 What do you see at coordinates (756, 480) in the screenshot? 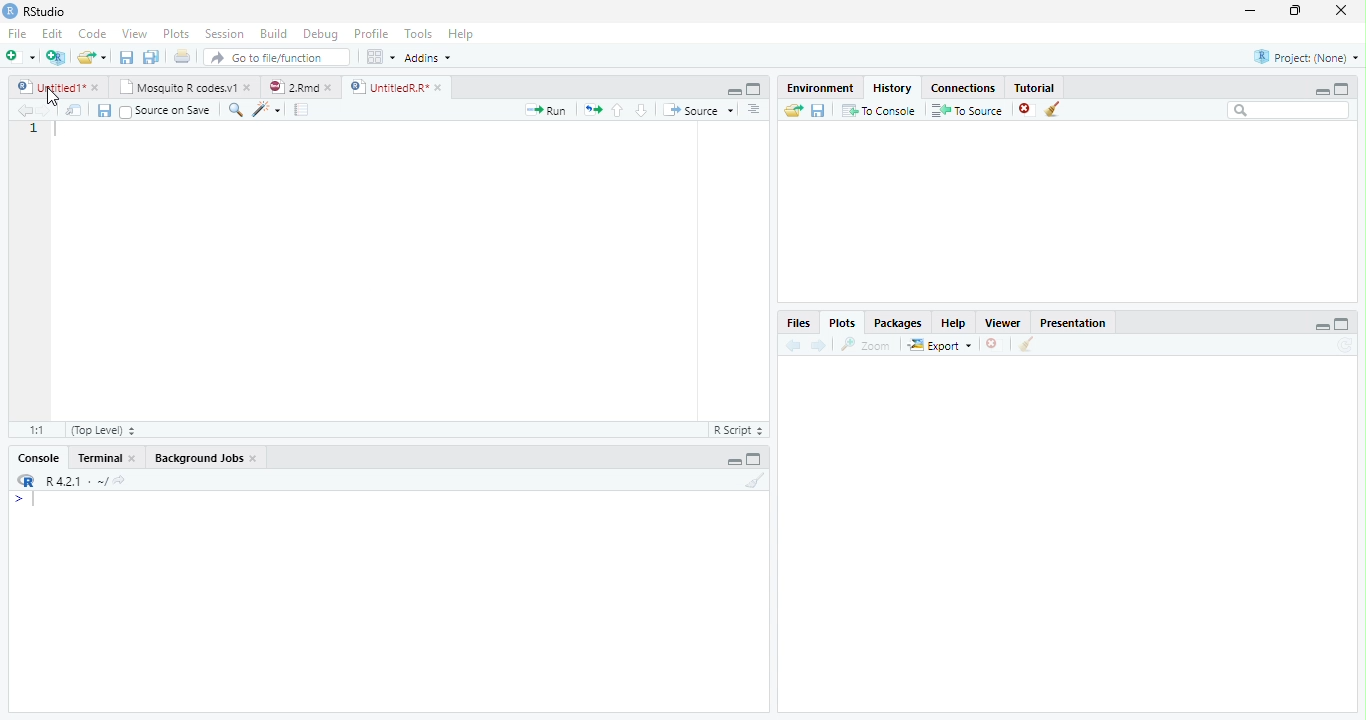
I see `Clear` at bounding box center [756, 480].